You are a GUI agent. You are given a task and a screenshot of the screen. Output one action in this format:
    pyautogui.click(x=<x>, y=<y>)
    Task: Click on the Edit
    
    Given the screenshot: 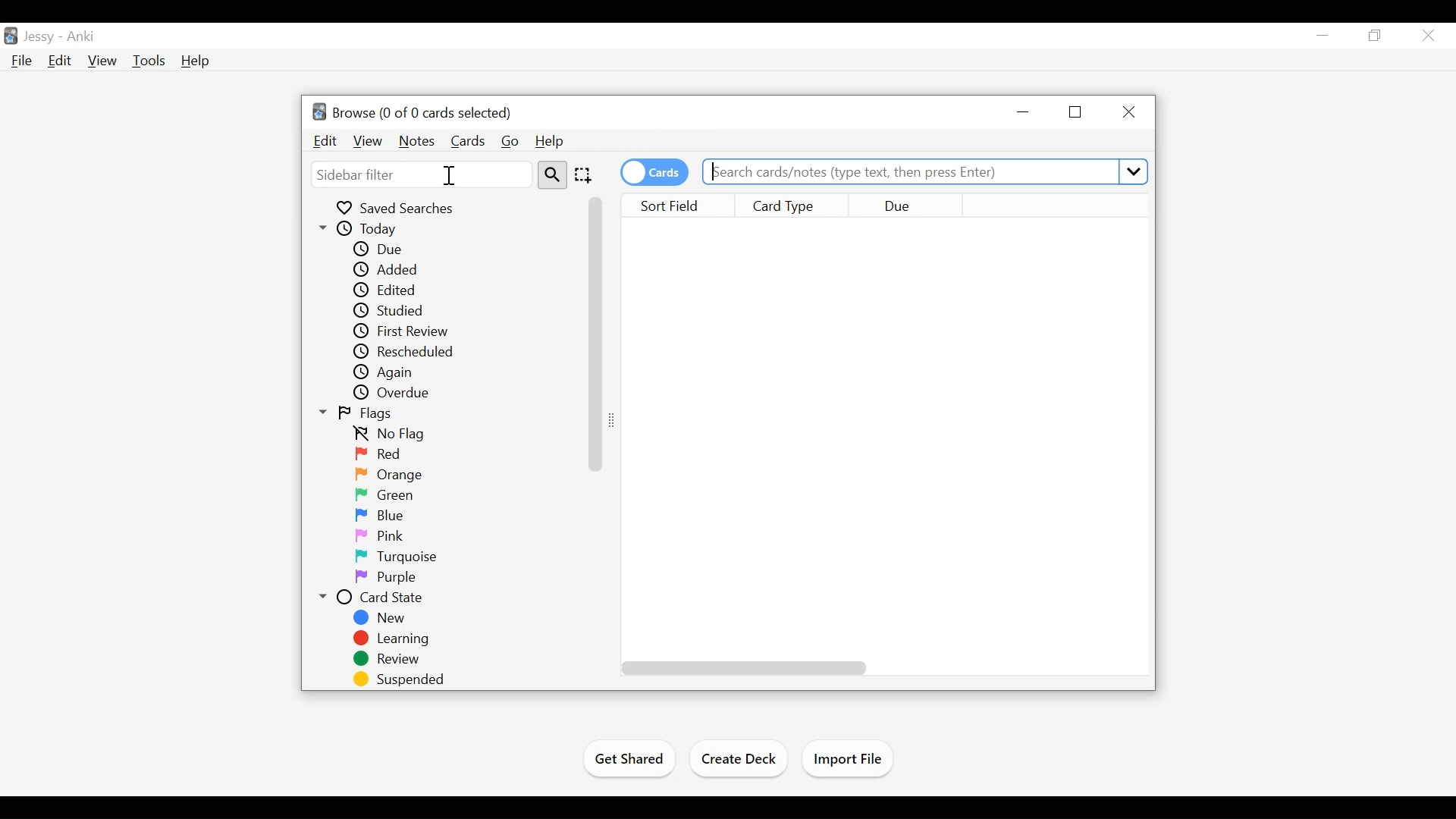 What is the action you would take?
    pyautogui.click(x=61, y=61)
    